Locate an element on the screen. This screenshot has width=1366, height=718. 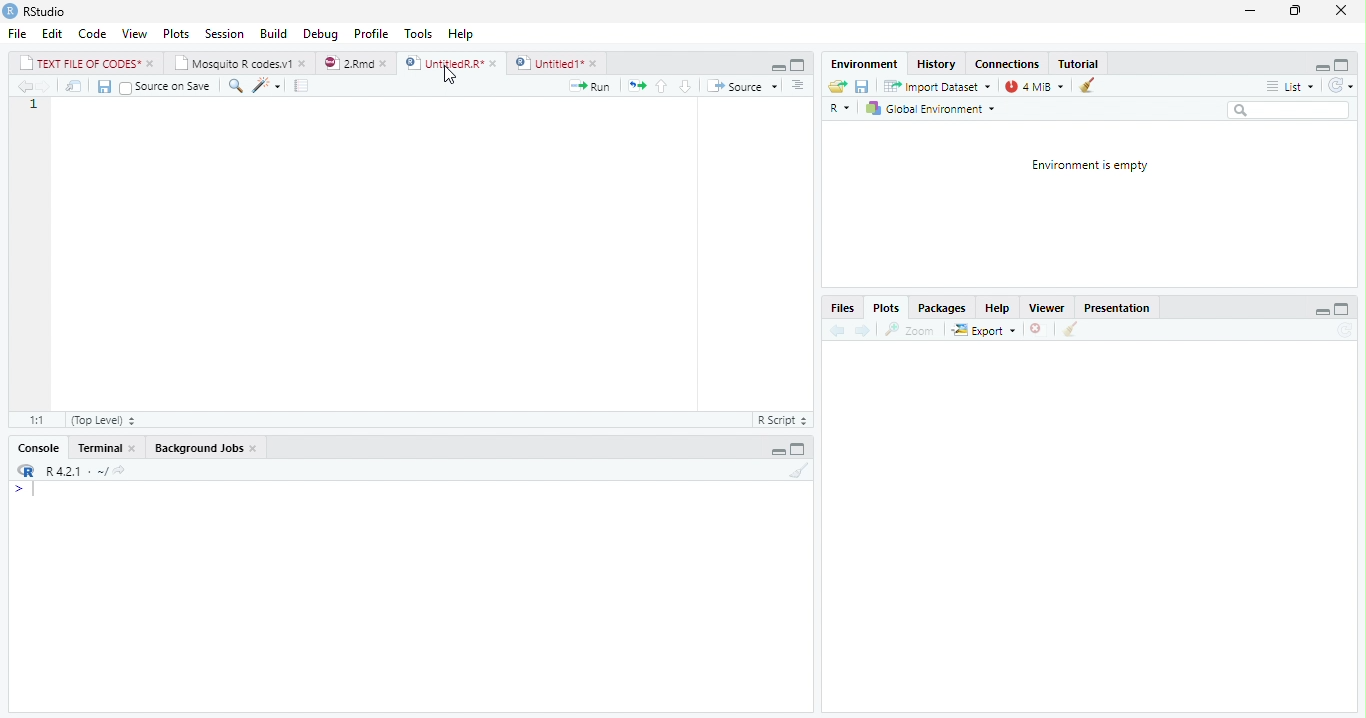
show document outline is located at coordinates (800, 87).